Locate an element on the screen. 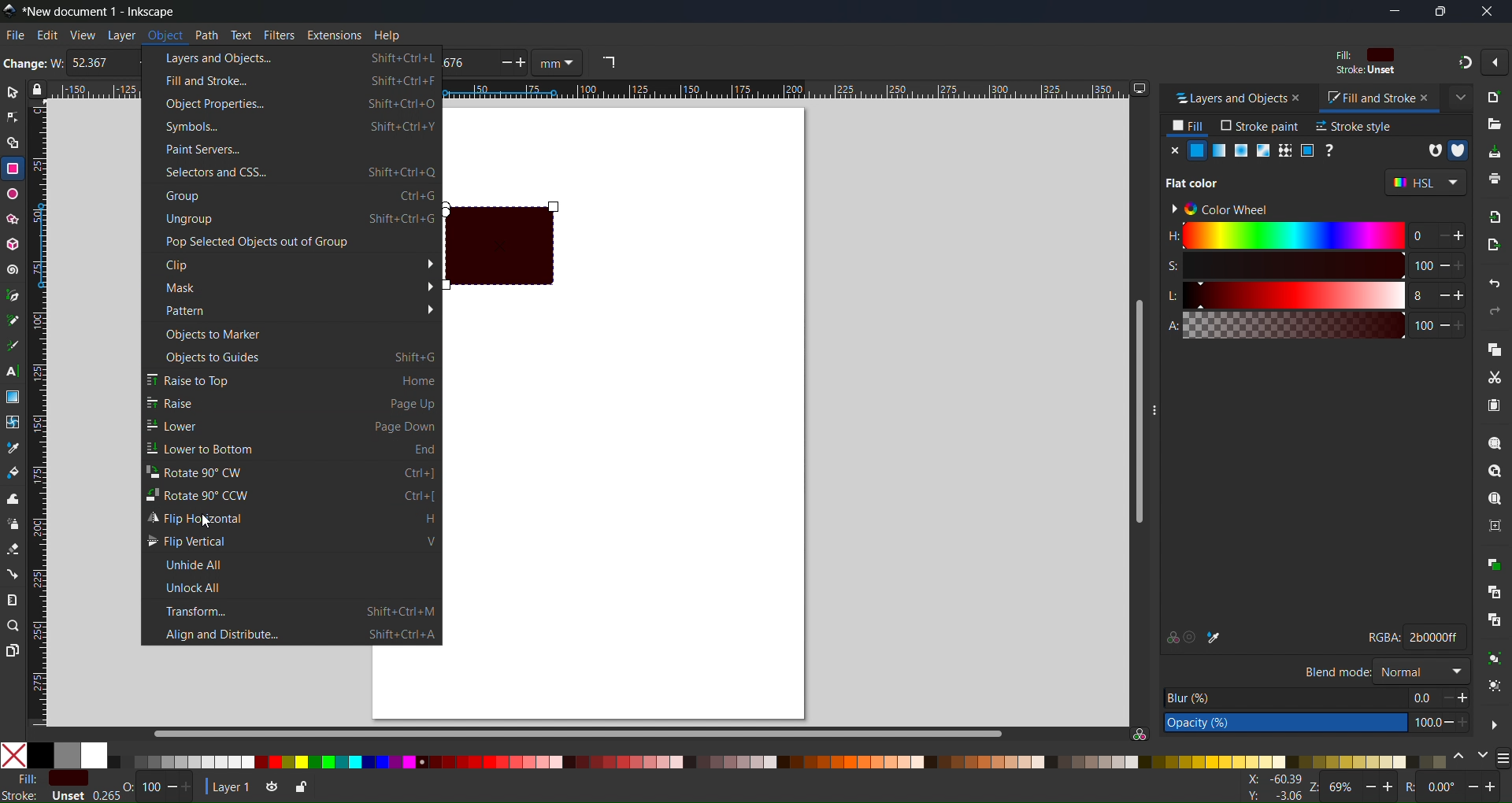 The height and width of the screenshot is (803, 1512). 2b0000ff is located at coordinates (1436, 636).